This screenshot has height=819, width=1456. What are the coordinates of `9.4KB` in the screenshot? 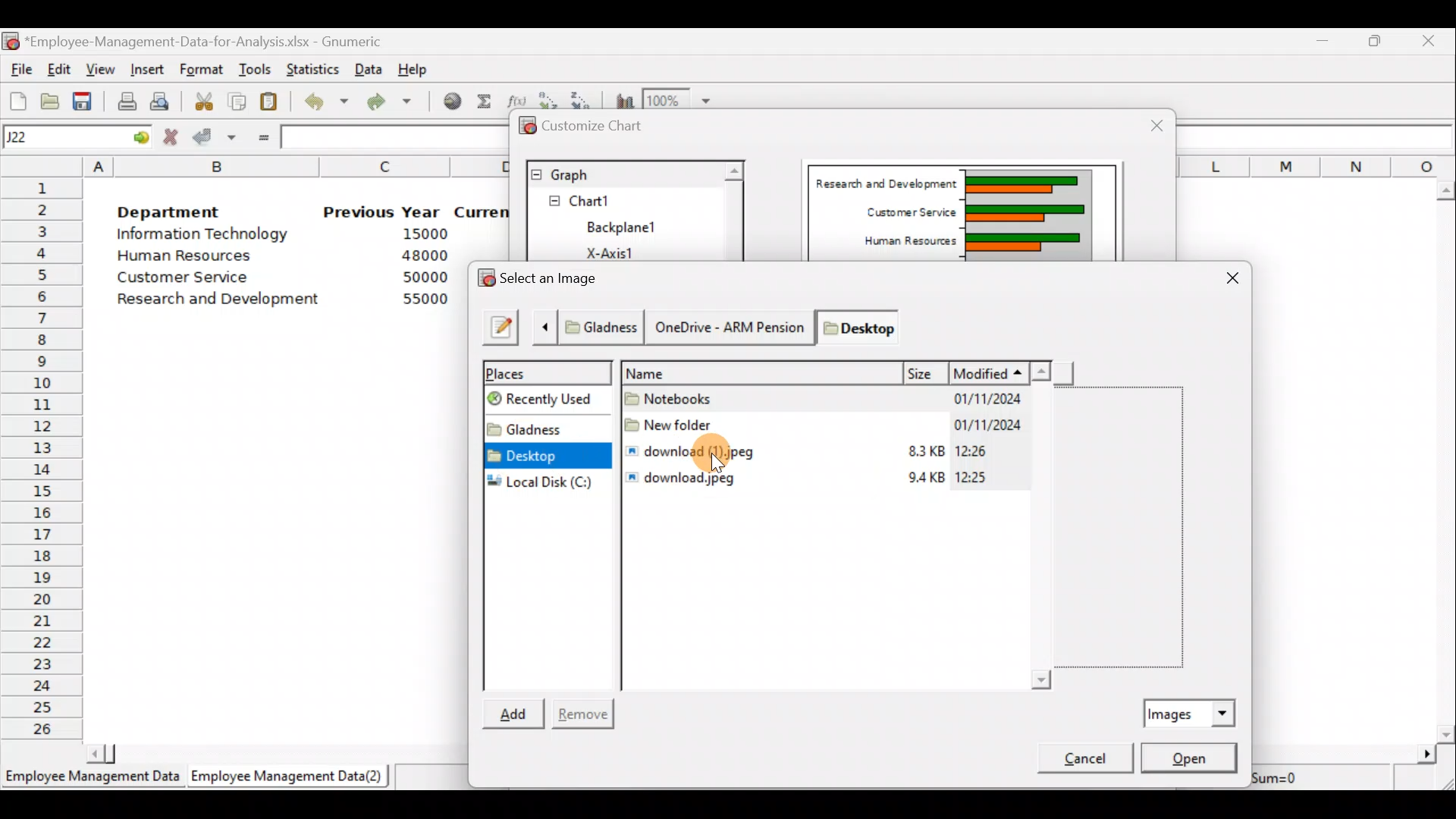 It's located at (923, 479).